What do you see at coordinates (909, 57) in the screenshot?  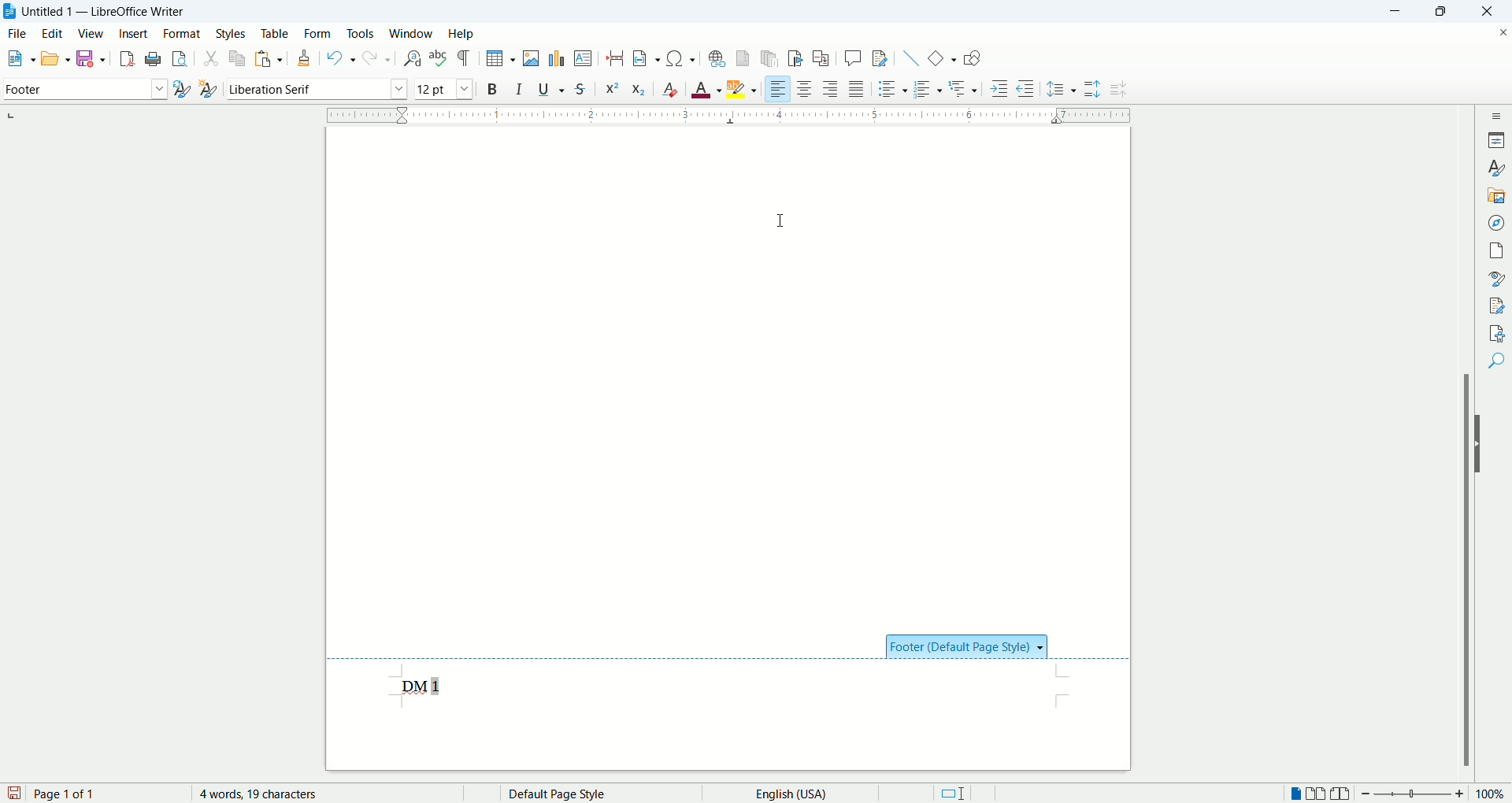 I see `insert line` at bounding box center [909, 57].